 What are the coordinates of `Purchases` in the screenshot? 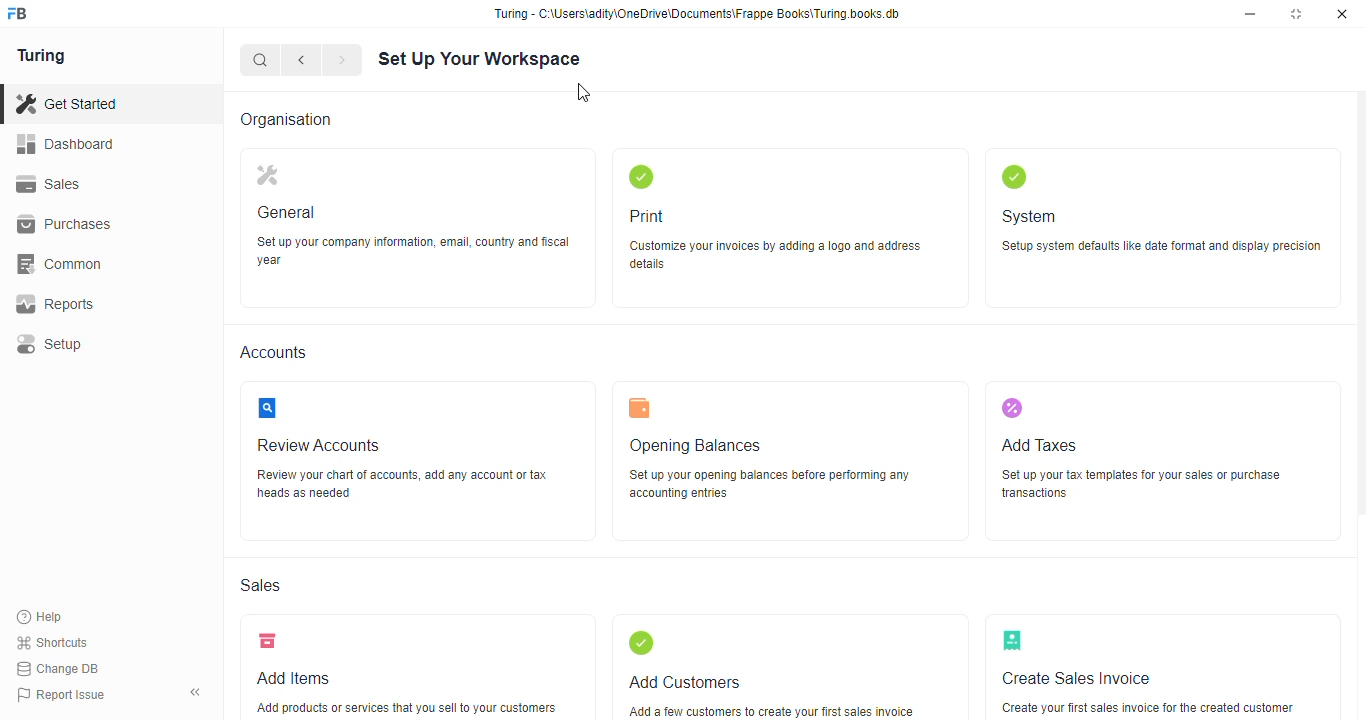 It's located at (99, 223).